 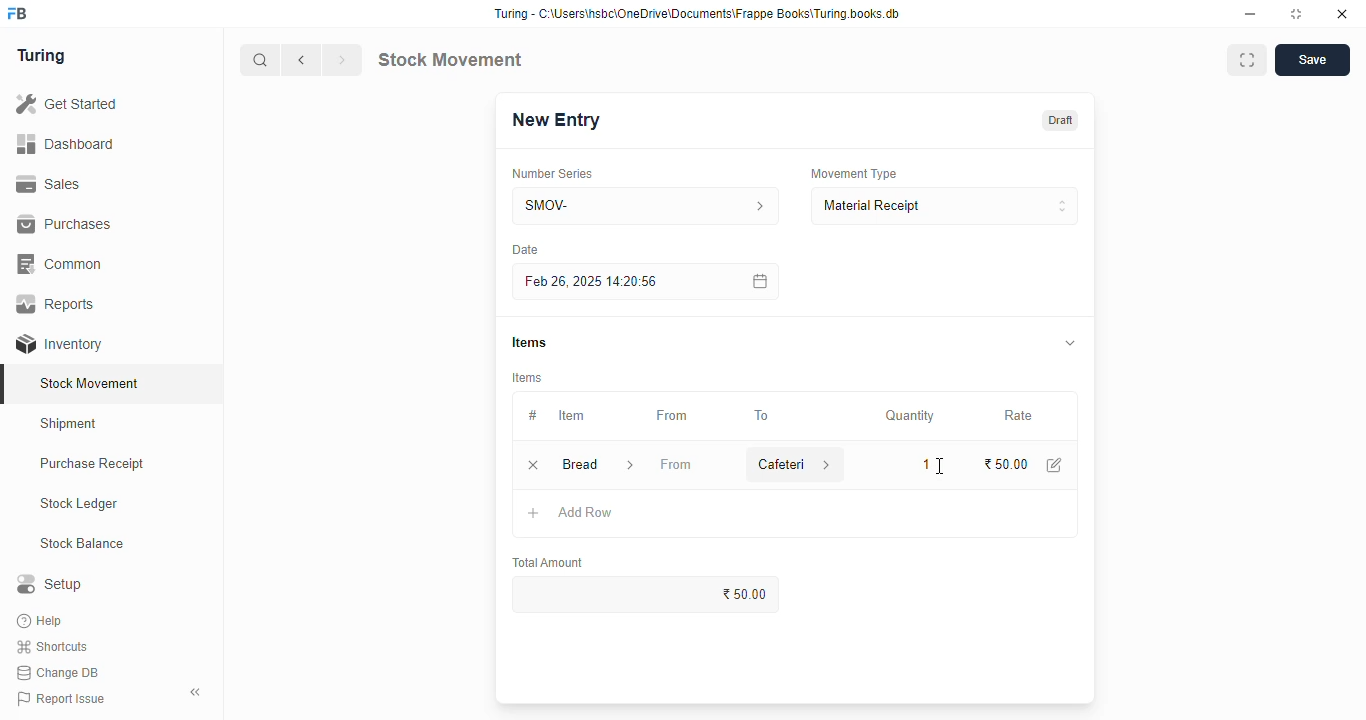 What do you see at coordinates (528, 378) in the screenshot?
I see `items` at bounding box center [528, 378].